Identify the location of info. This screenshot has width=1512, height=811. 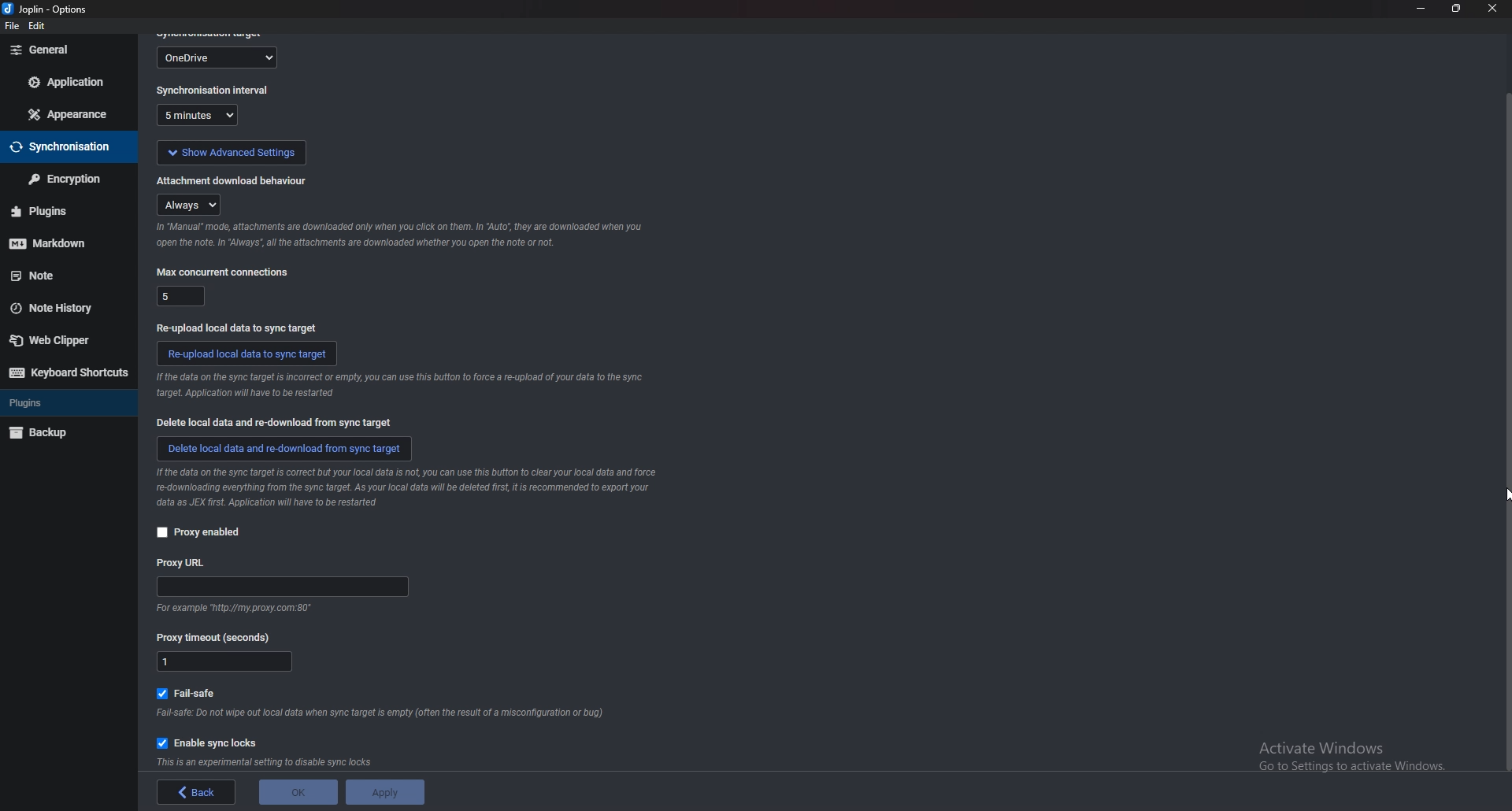
(397, 387).